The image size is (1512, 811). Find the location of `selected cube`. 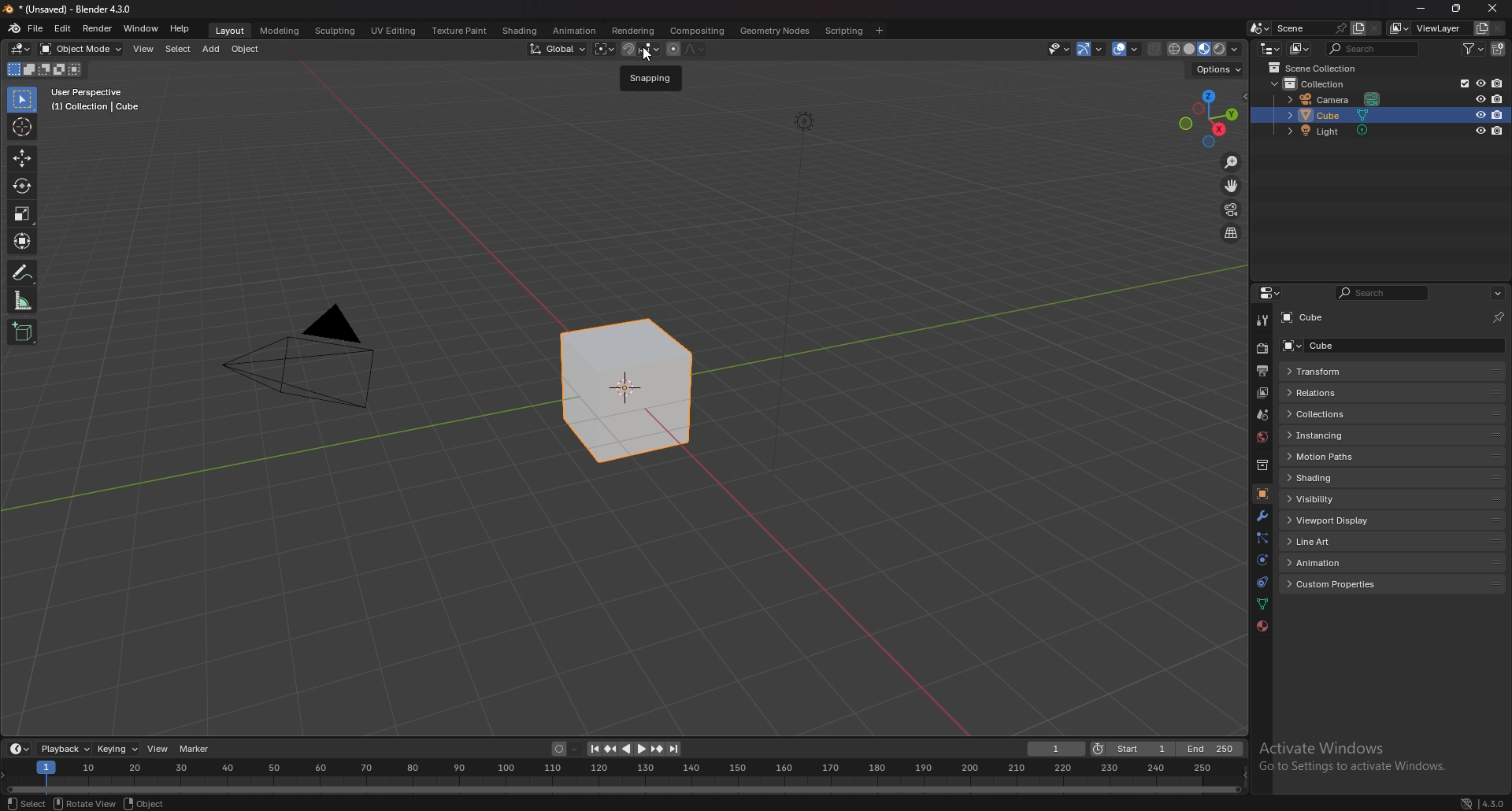

selected cube is located at coordinates (629, 391).